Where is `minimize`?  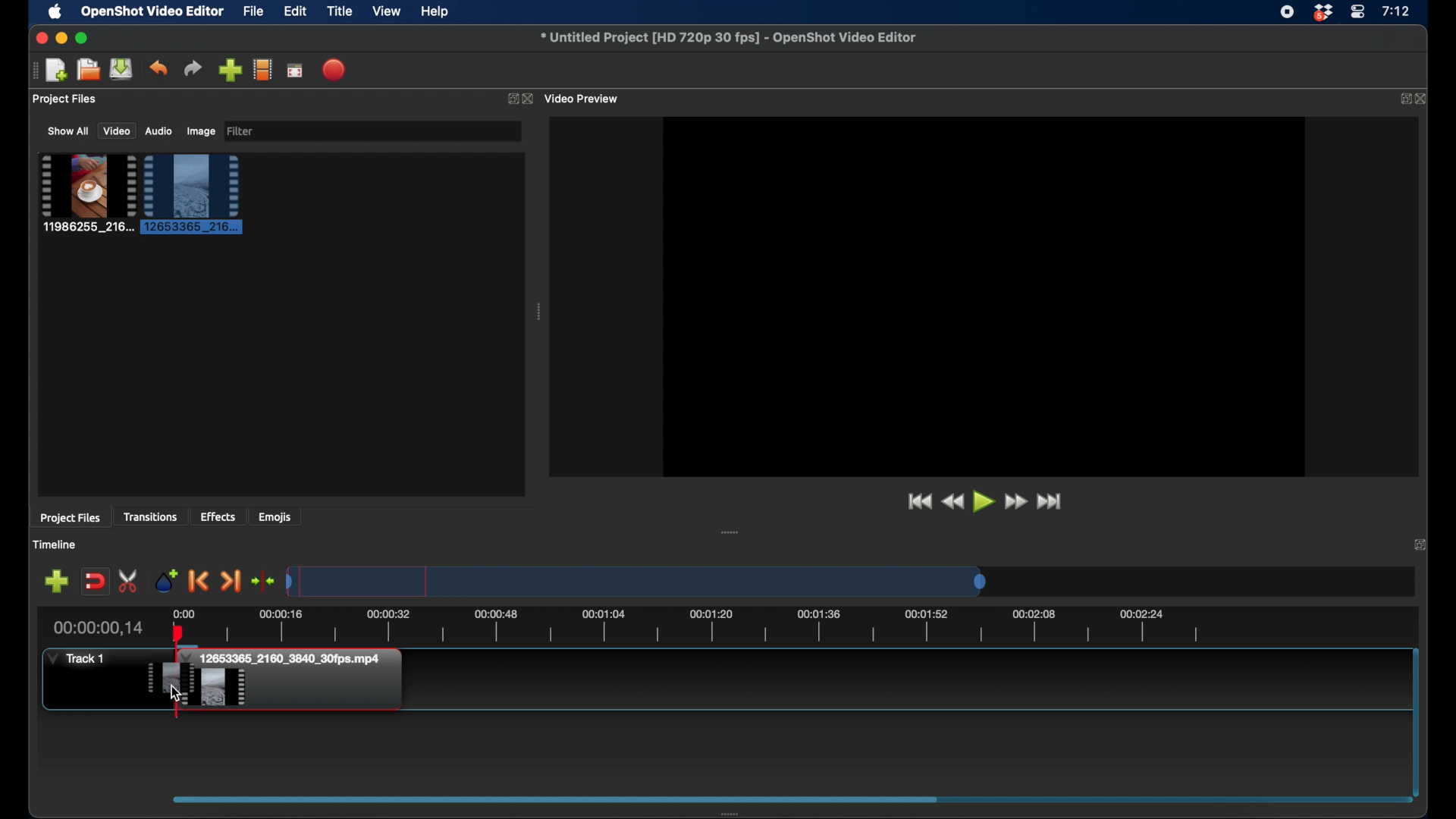 minimize is located at coordinates (61, 39).